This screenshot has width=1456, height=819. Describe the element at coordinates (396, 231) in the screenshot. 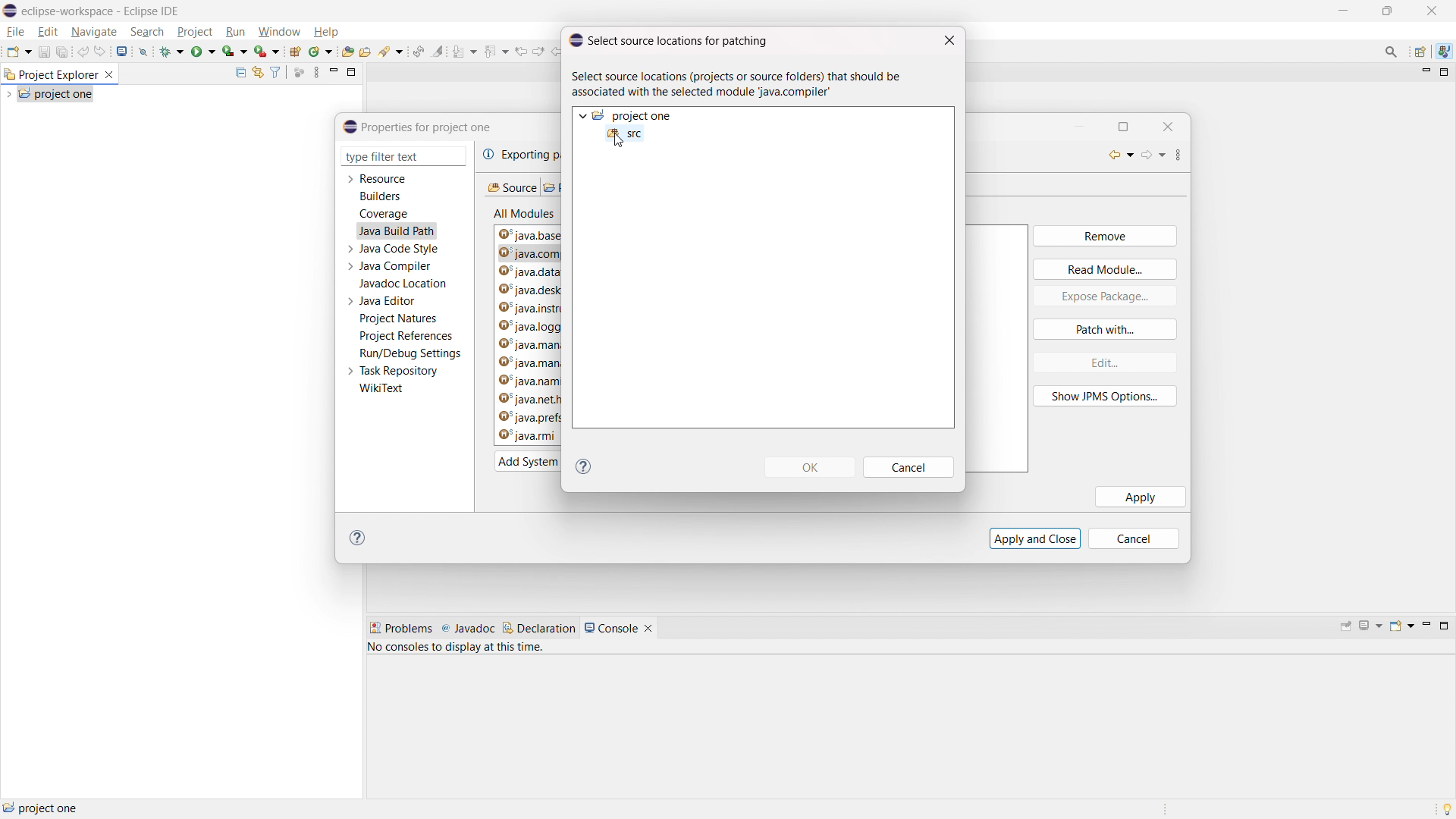

I see `java build path selected` at that location.